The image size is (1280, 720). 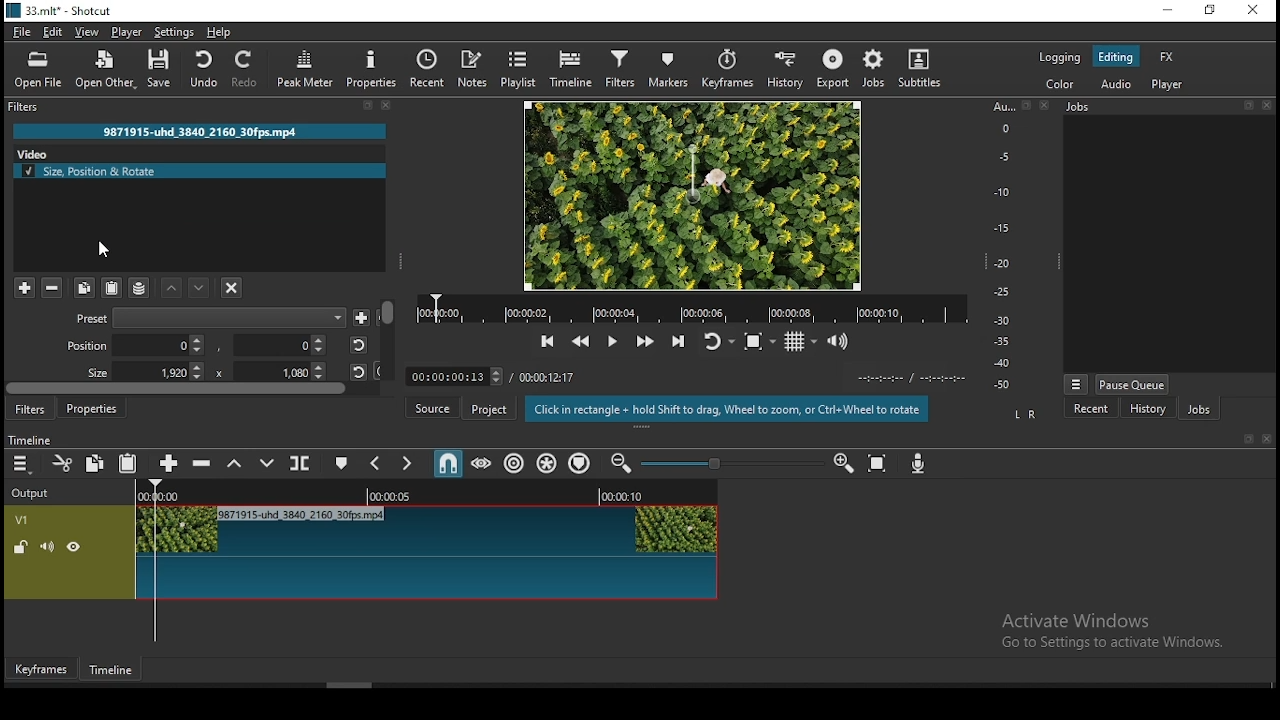 I want to click on position x, so click(x=161, y=345).